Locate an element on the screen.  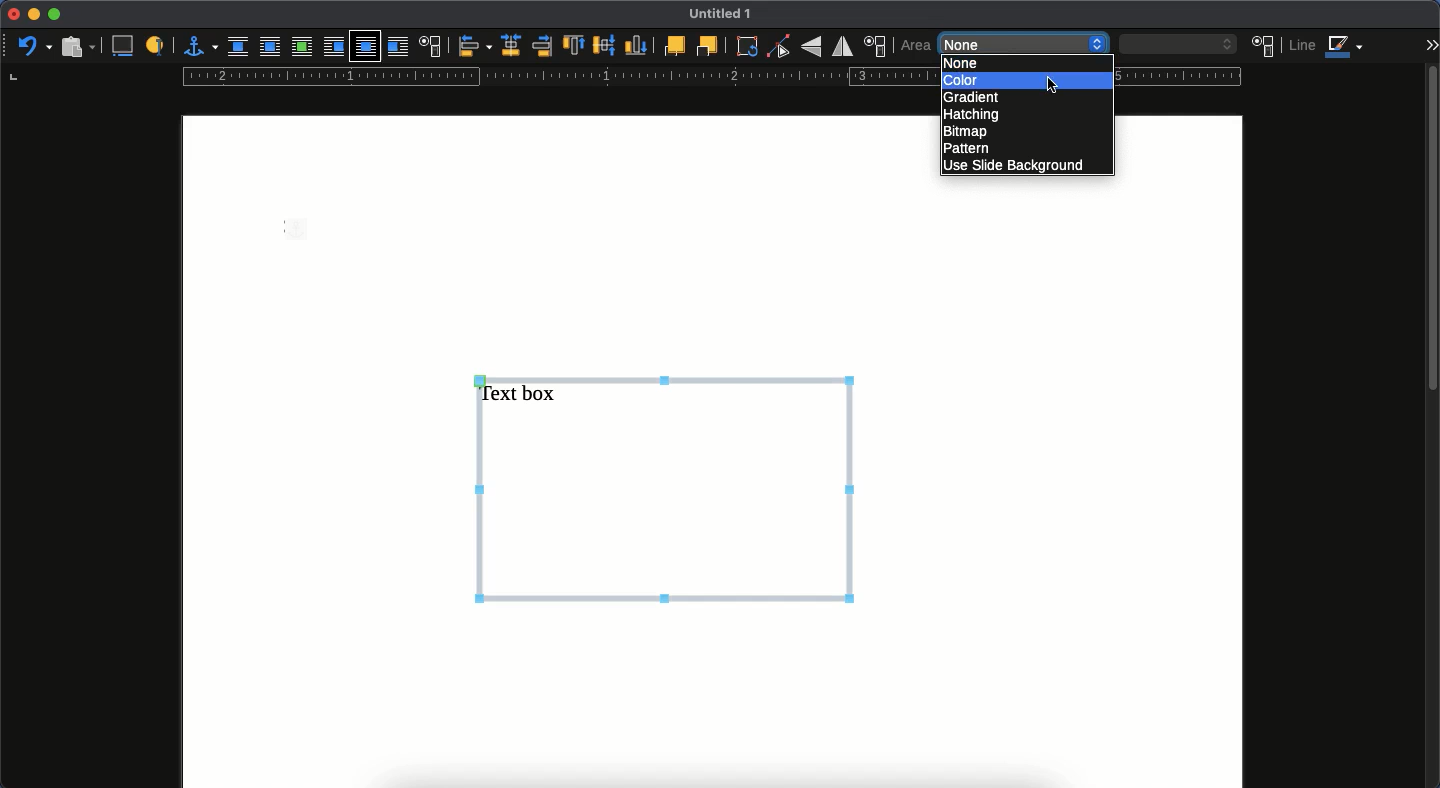
guide is located at coordinates (552, 76).